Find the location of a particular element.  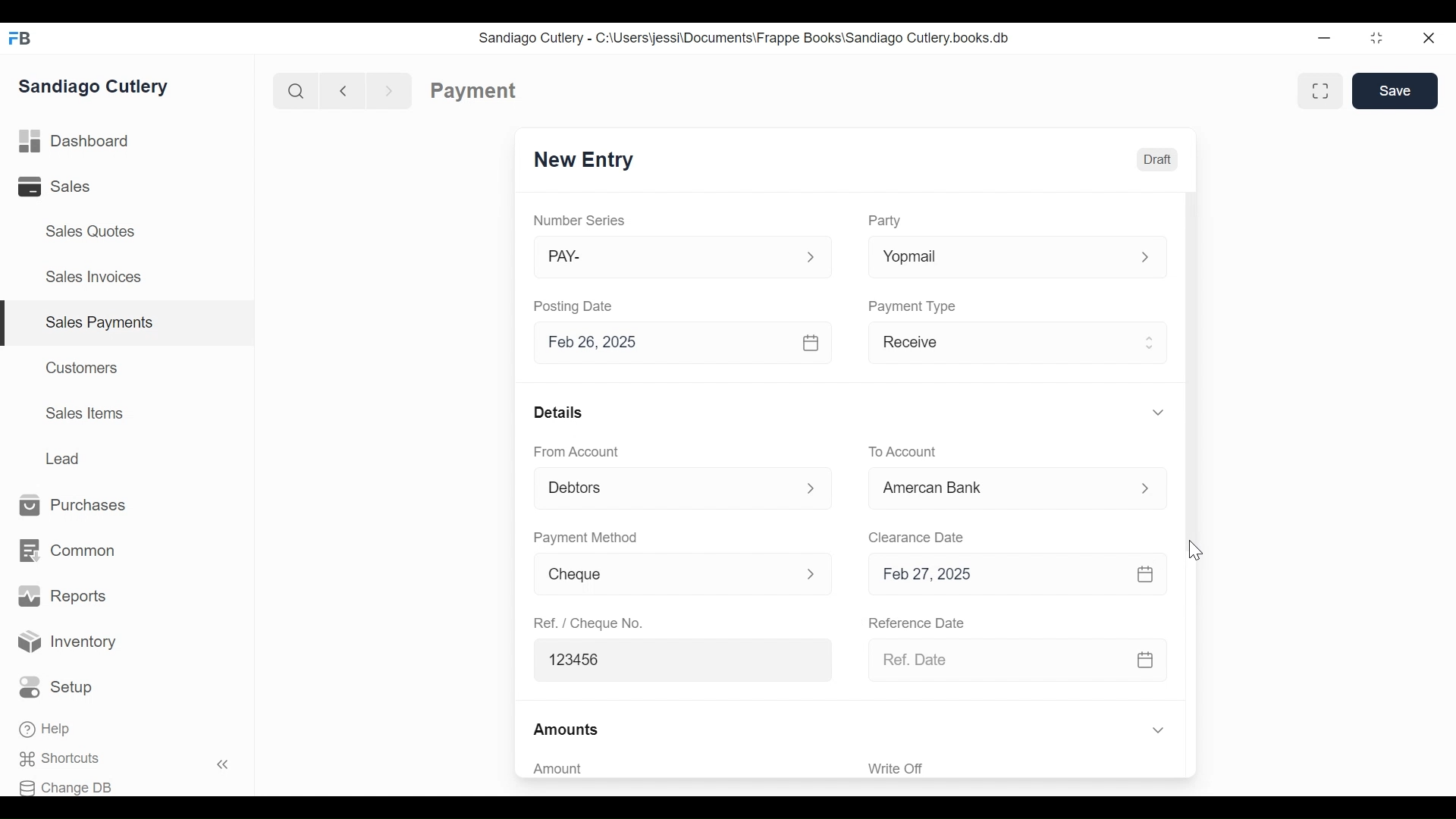

Expand is located at coordinates (1147, 489).